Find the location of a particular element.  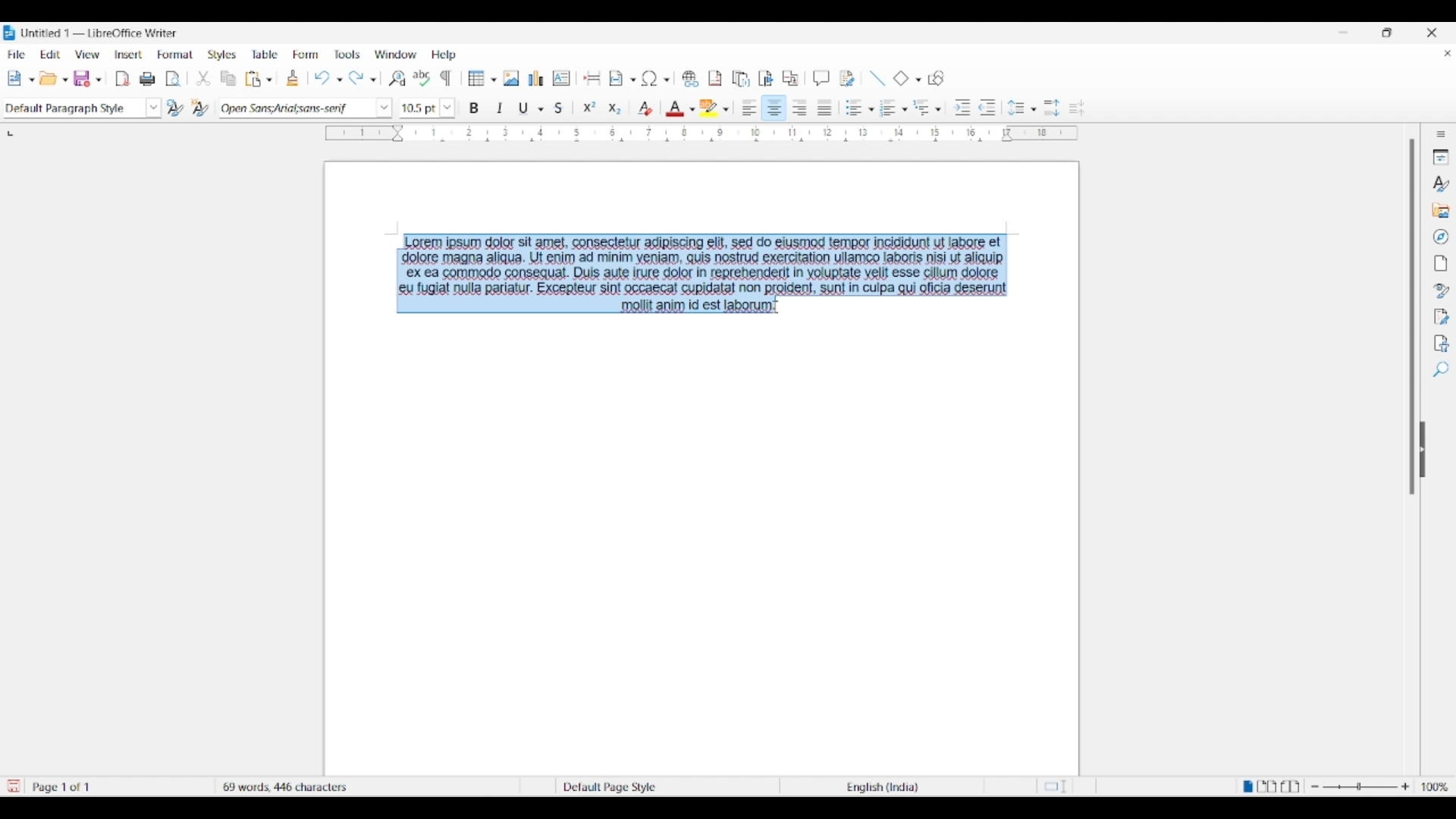

Cursor is located at coordinates (397, 247).